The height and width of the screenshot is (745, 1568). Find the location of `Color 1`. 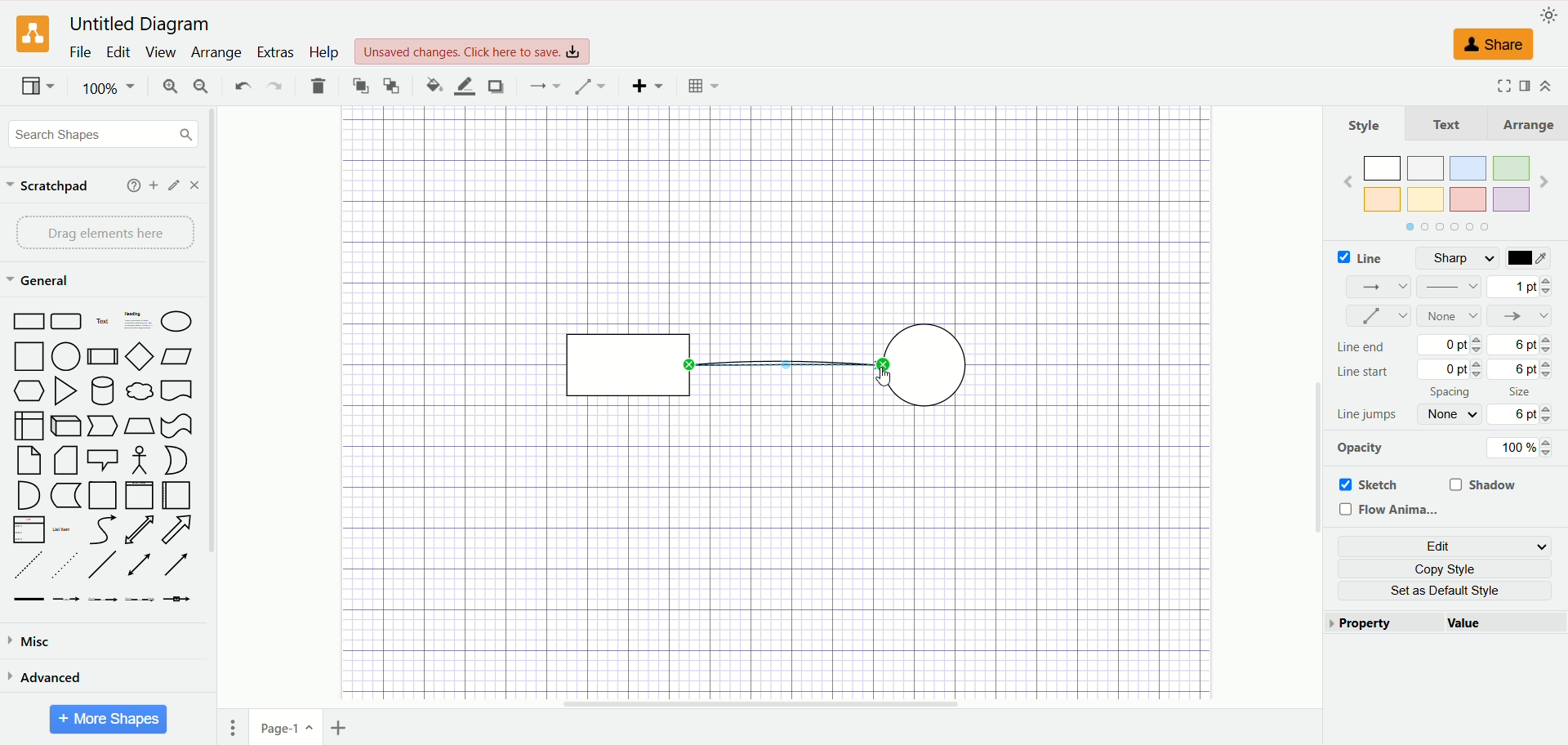

Color 1 is located at coordinates (1383, 167).